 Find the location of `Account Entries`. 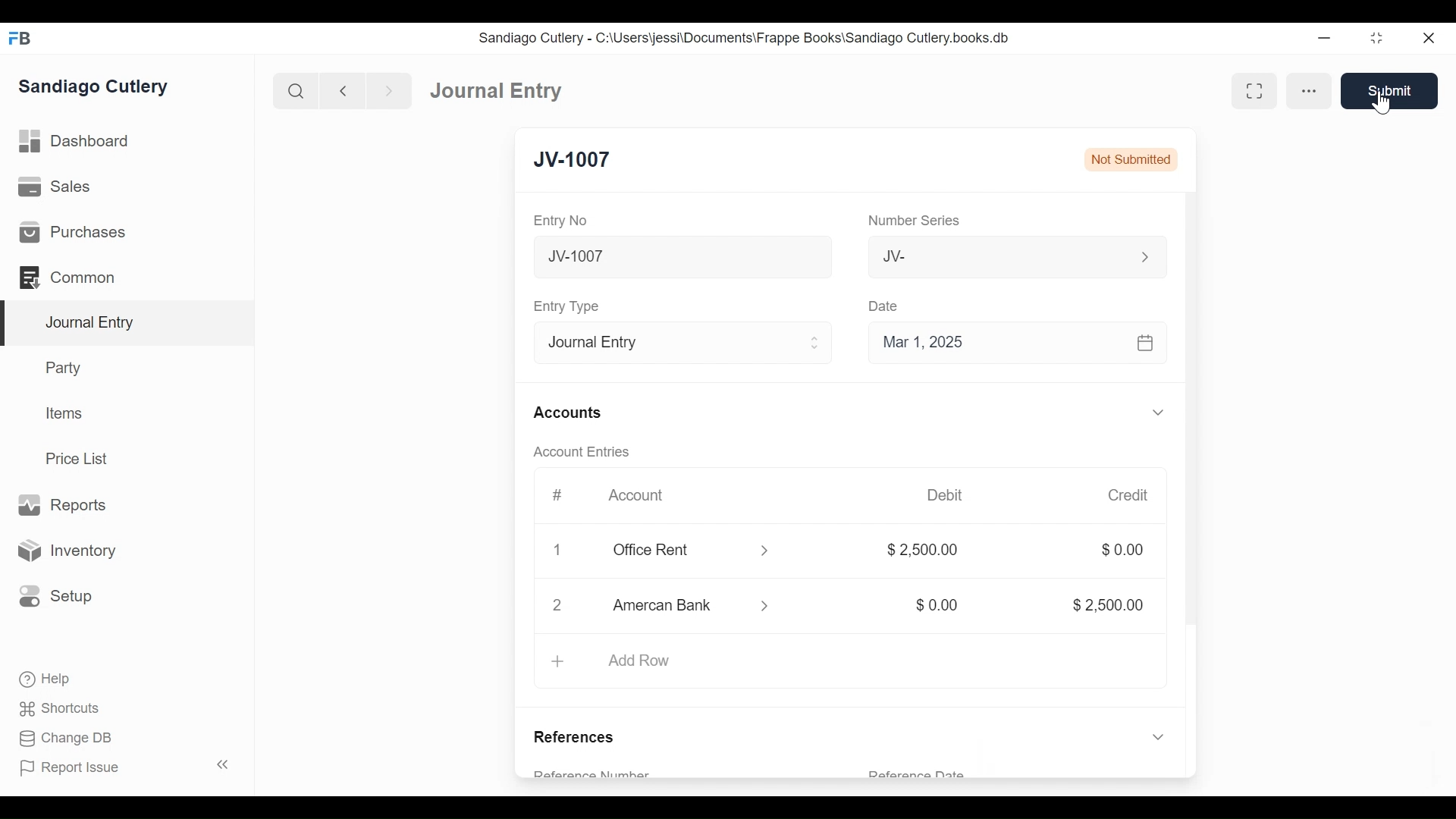

Account Entries is located at coordinates (576, 452).